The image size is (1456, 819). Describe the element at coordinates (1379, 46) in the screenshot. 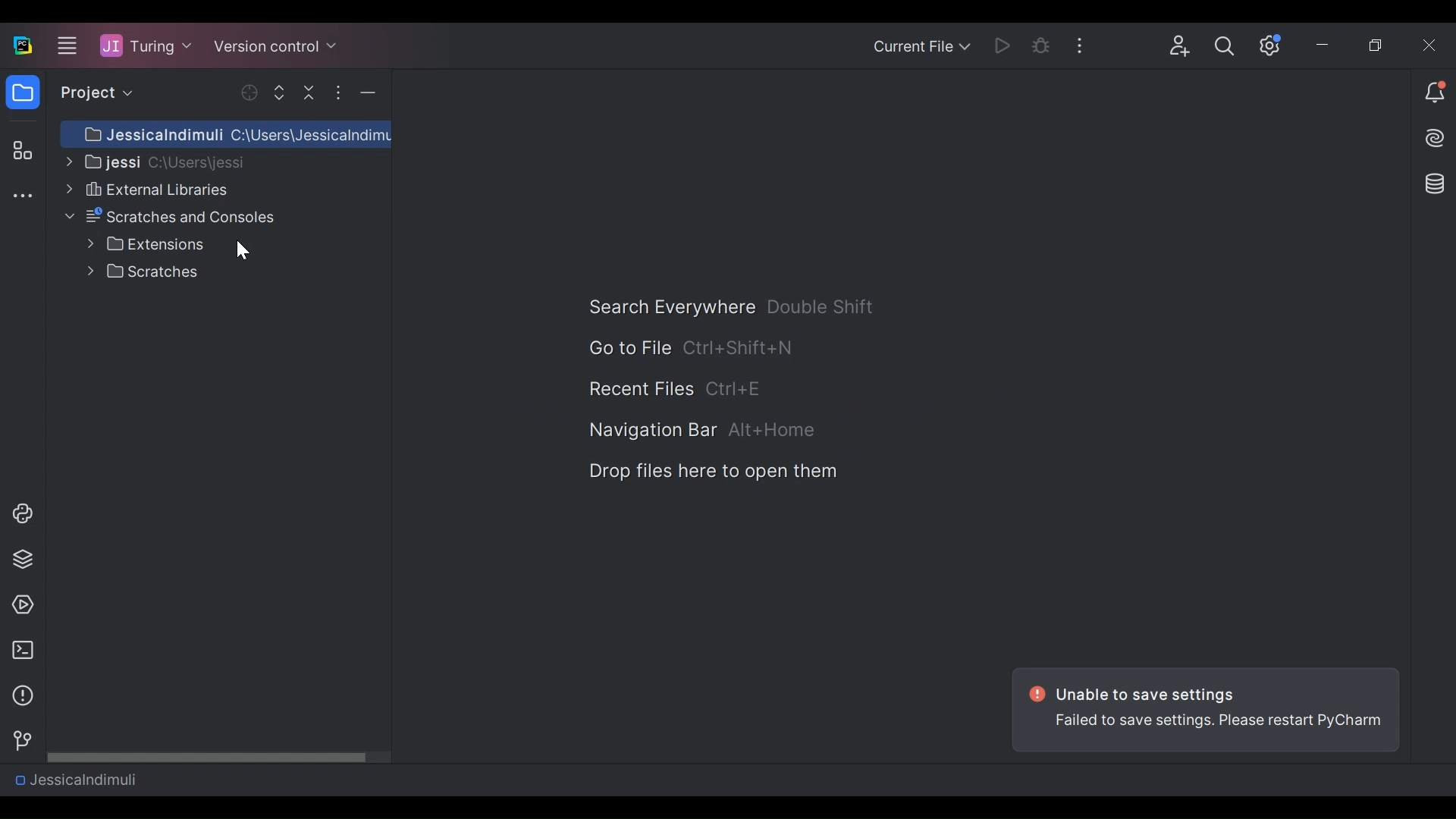

I see `Restore` at that location.